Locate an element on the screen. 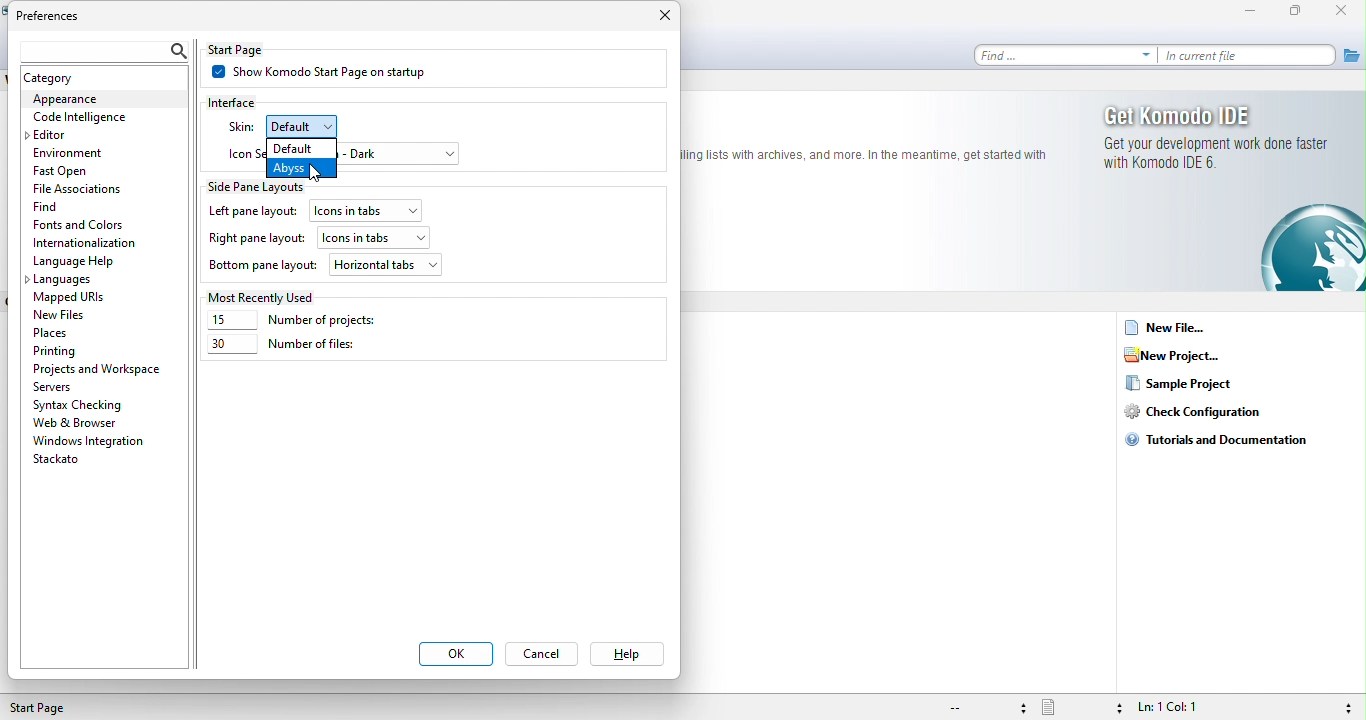  syntax checking is located at coordinates (1345, 706).